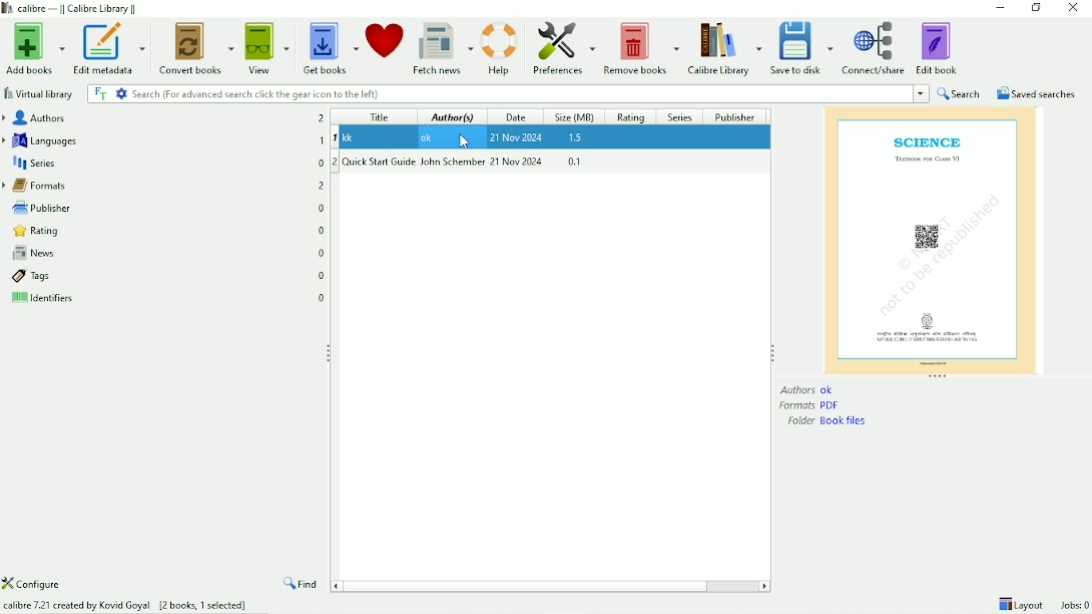  What do you see at coordinates (724, 49) in the screenshot?
I see `Calibre` at bounding box center [724, 49].